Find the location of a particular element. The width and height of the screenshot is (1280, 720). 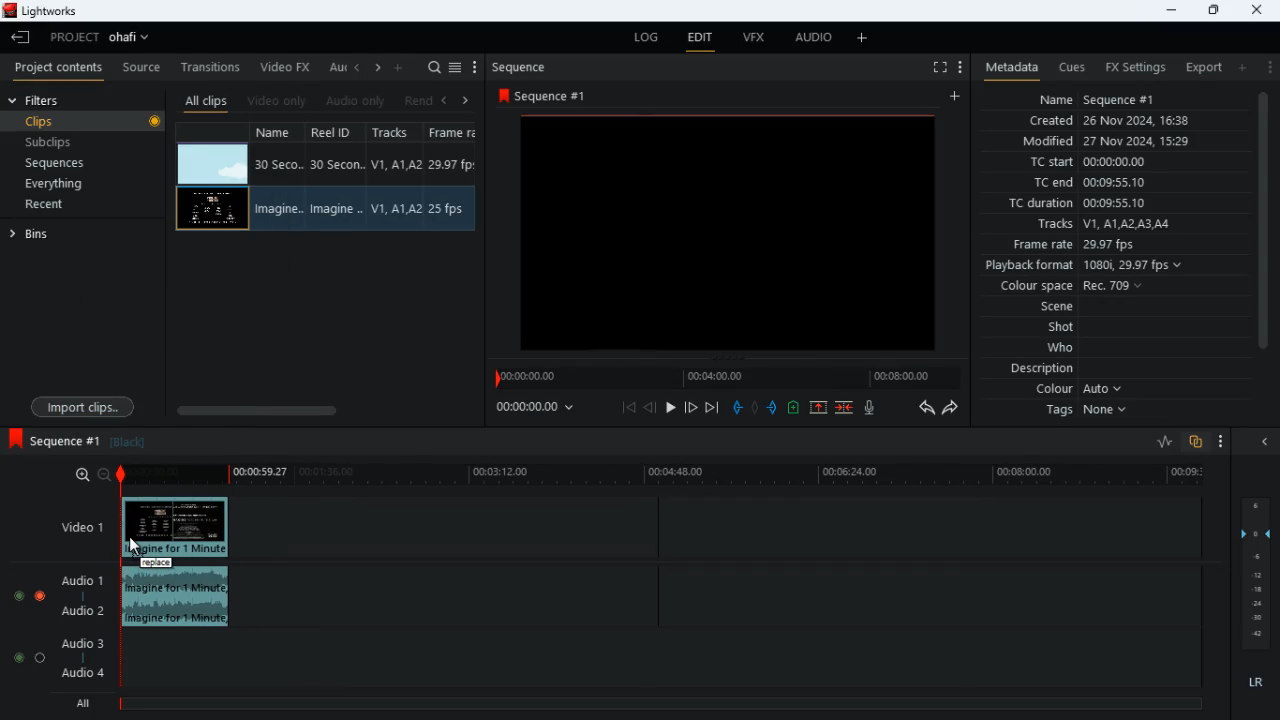

timeline is located at coordinates (668, 476).